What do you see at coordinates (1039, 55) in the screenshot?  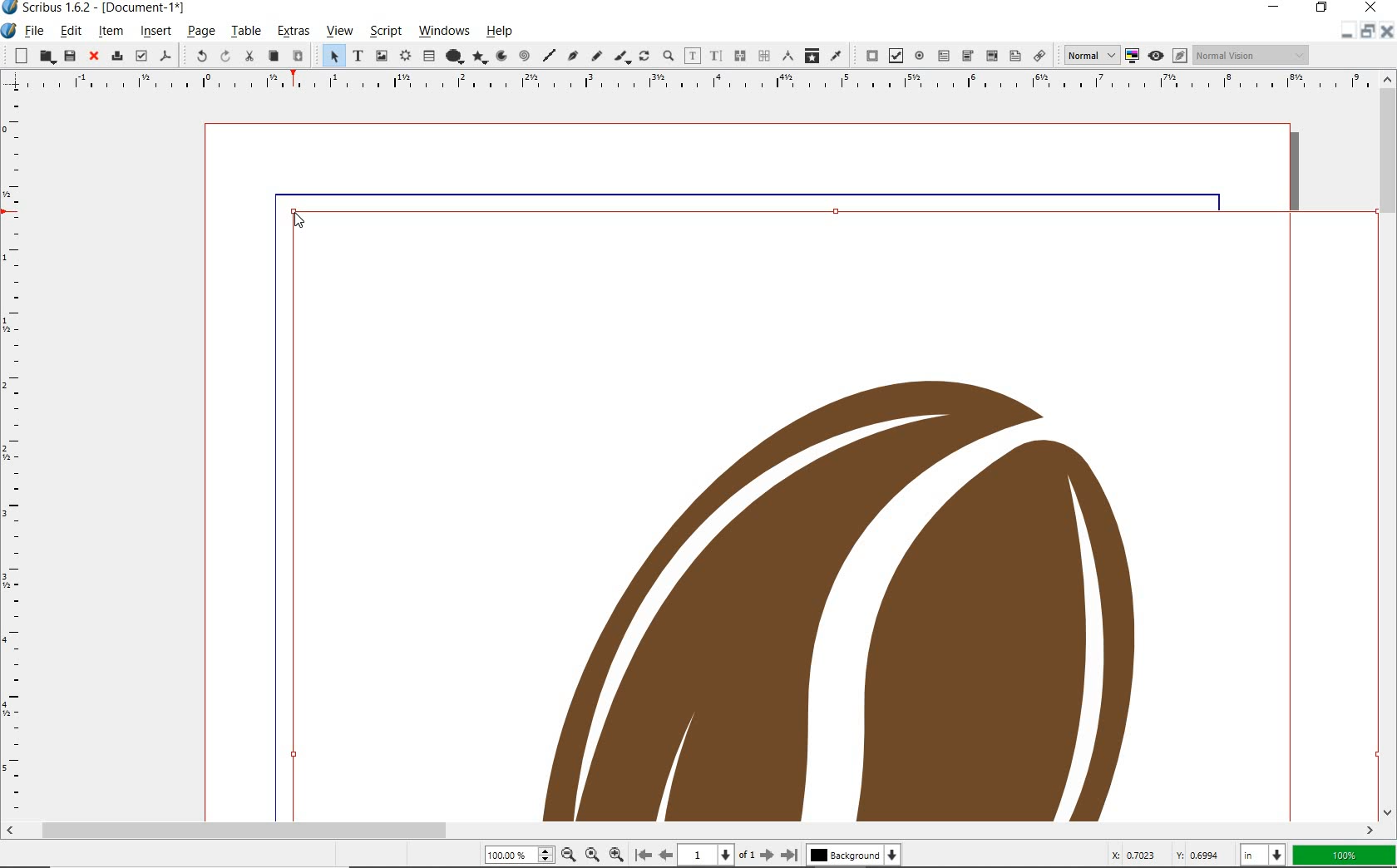 I see `link annotation` at bounding box center [1039, 55].